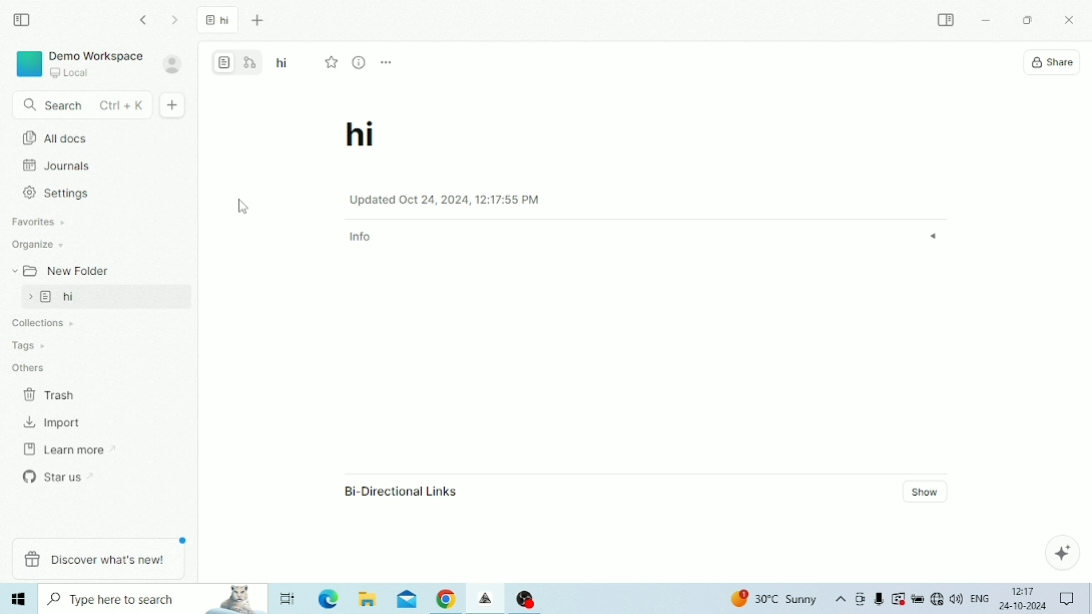 The image size is (1092, 614). I want to click on Restore Down, so click(1027, 21).